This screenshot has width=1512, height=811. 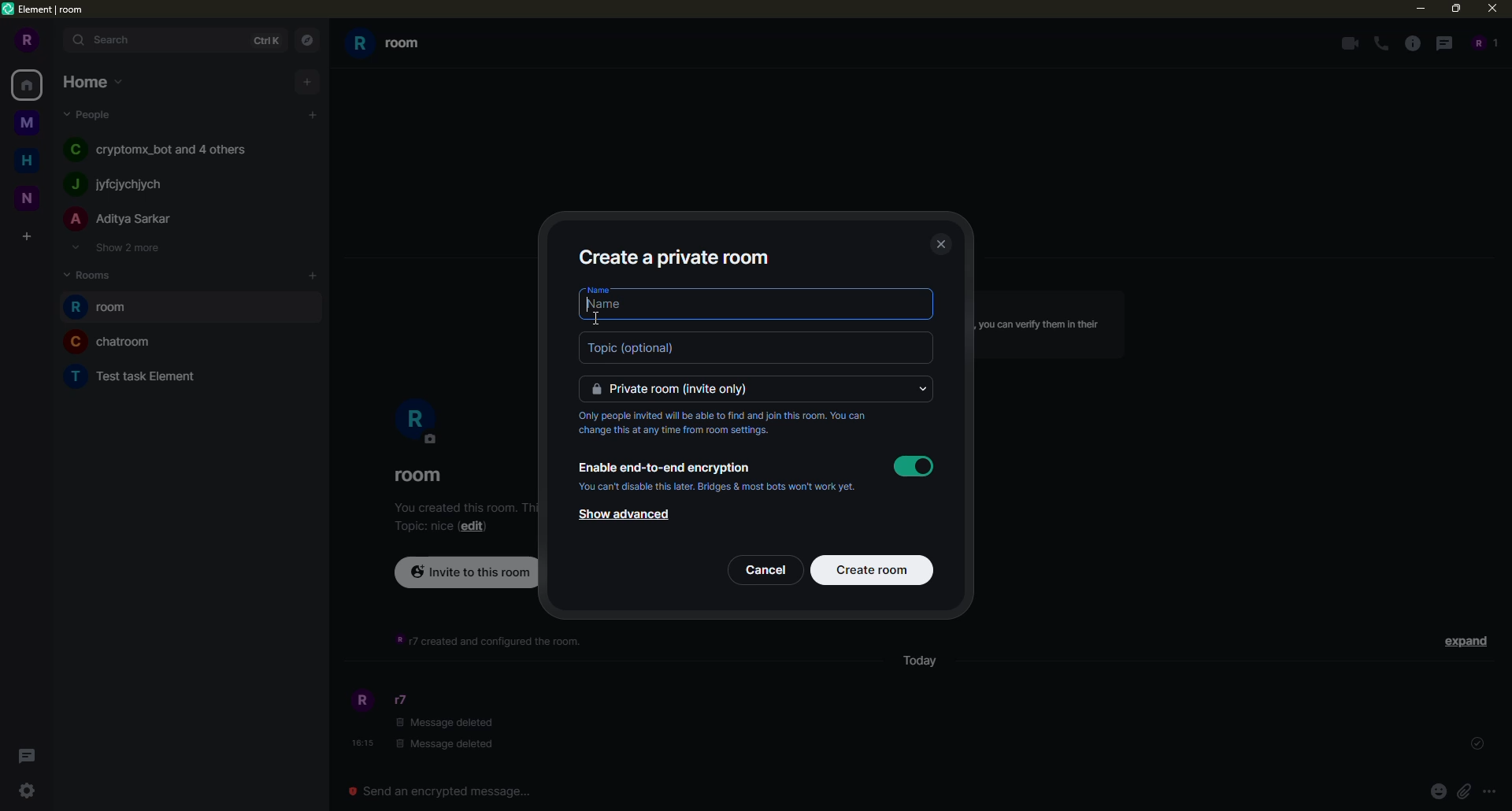 I want to click on room, so click(x=419, y=475).